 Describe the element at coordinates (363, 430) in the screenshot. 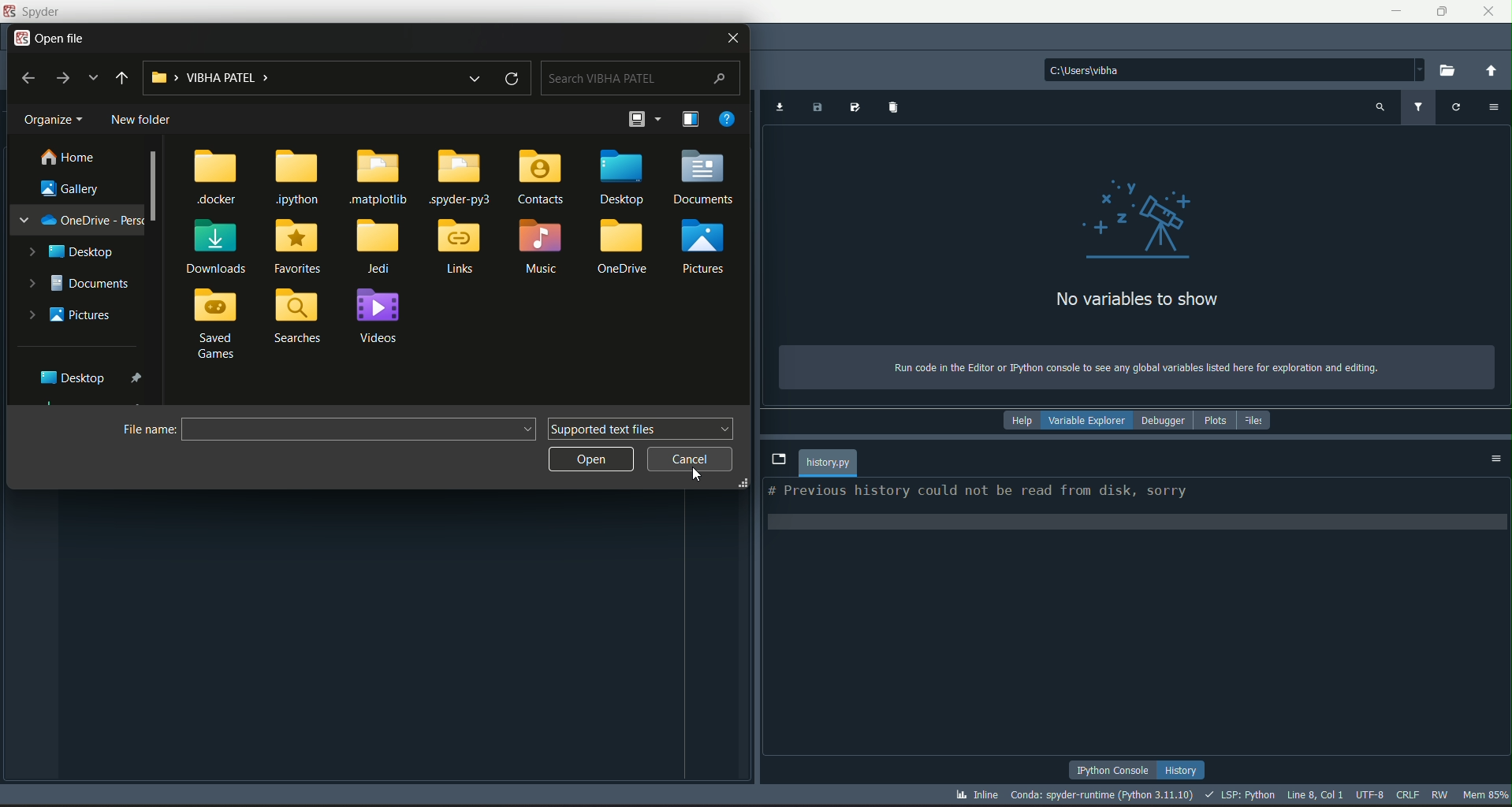

I see `file path` at that location.